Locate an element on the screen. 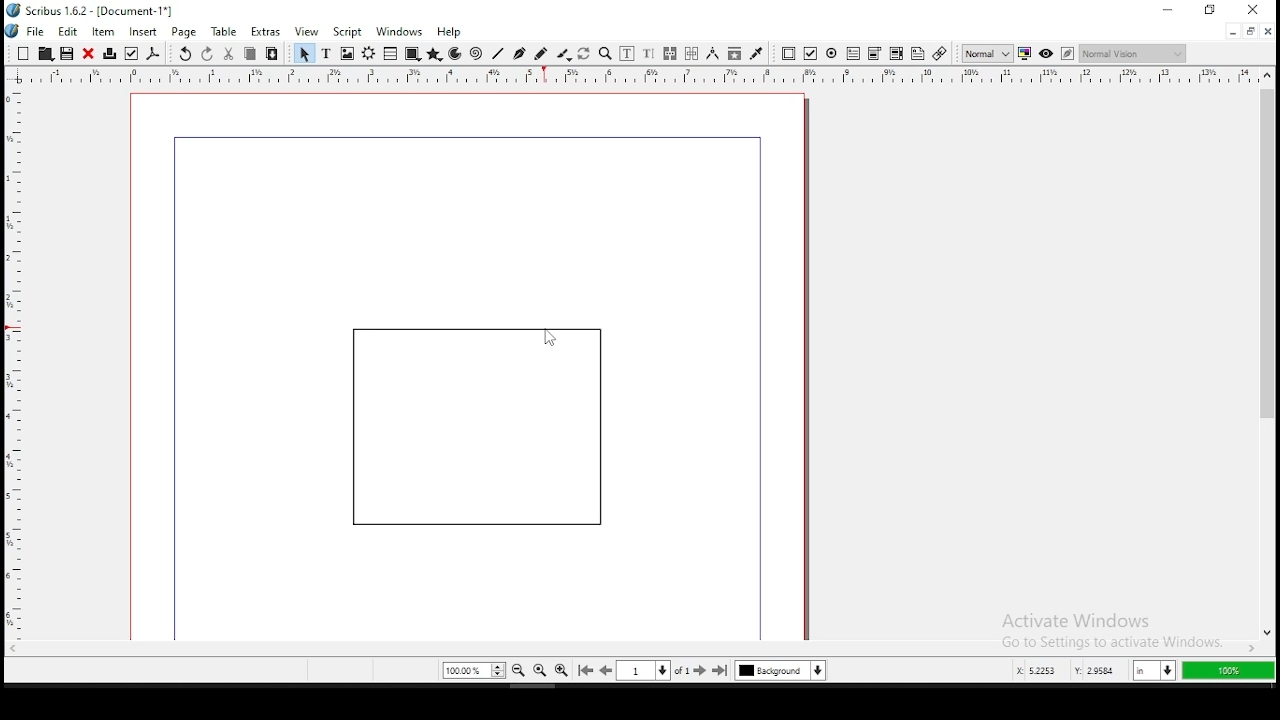 The height and width of the screenshot is (720, 1280). help is located at coordinates (449, 32).